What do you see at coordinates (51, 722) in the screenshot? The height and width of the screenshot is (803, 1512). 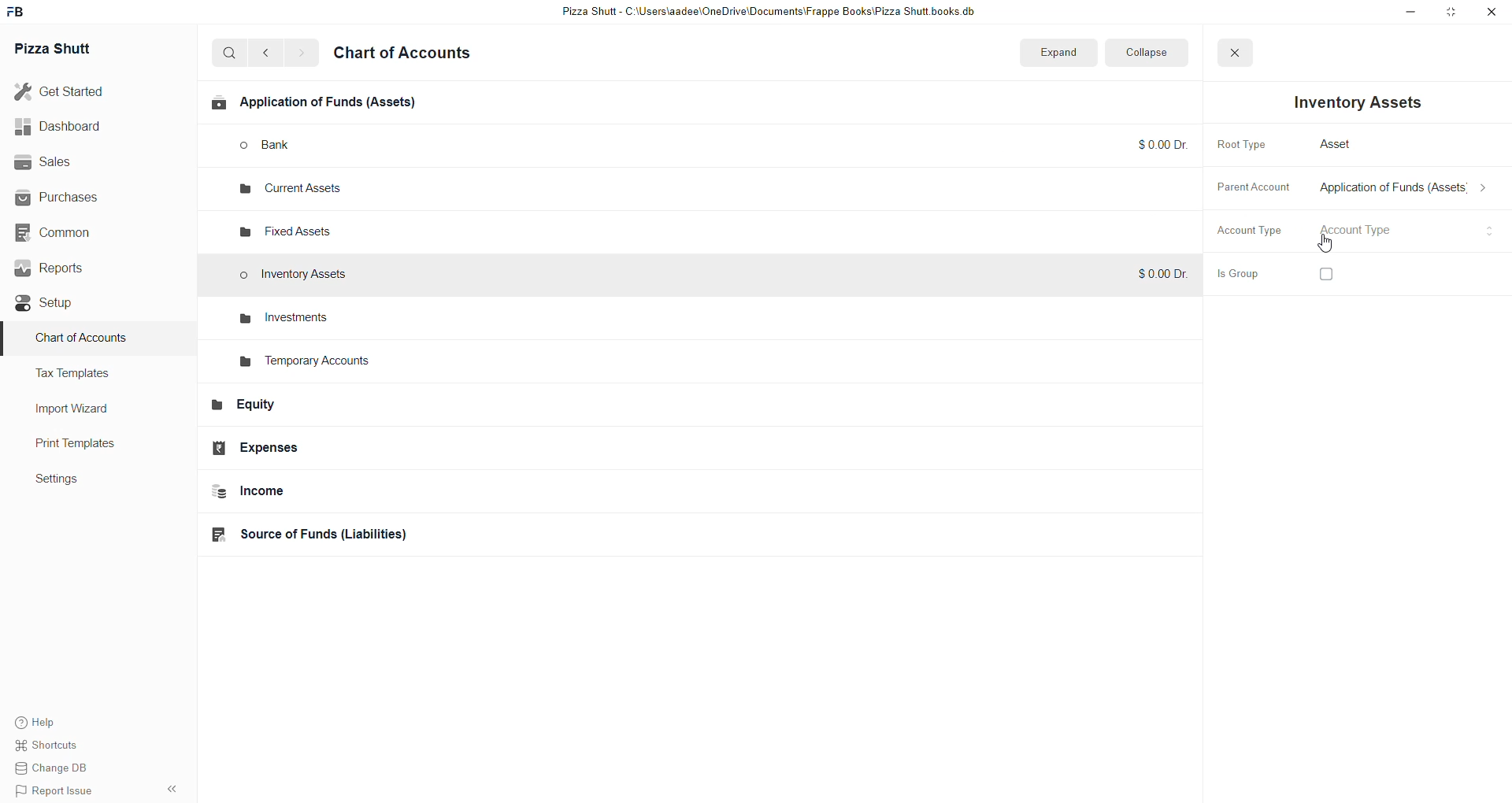 I see `help` at bounding box center [51, 722].